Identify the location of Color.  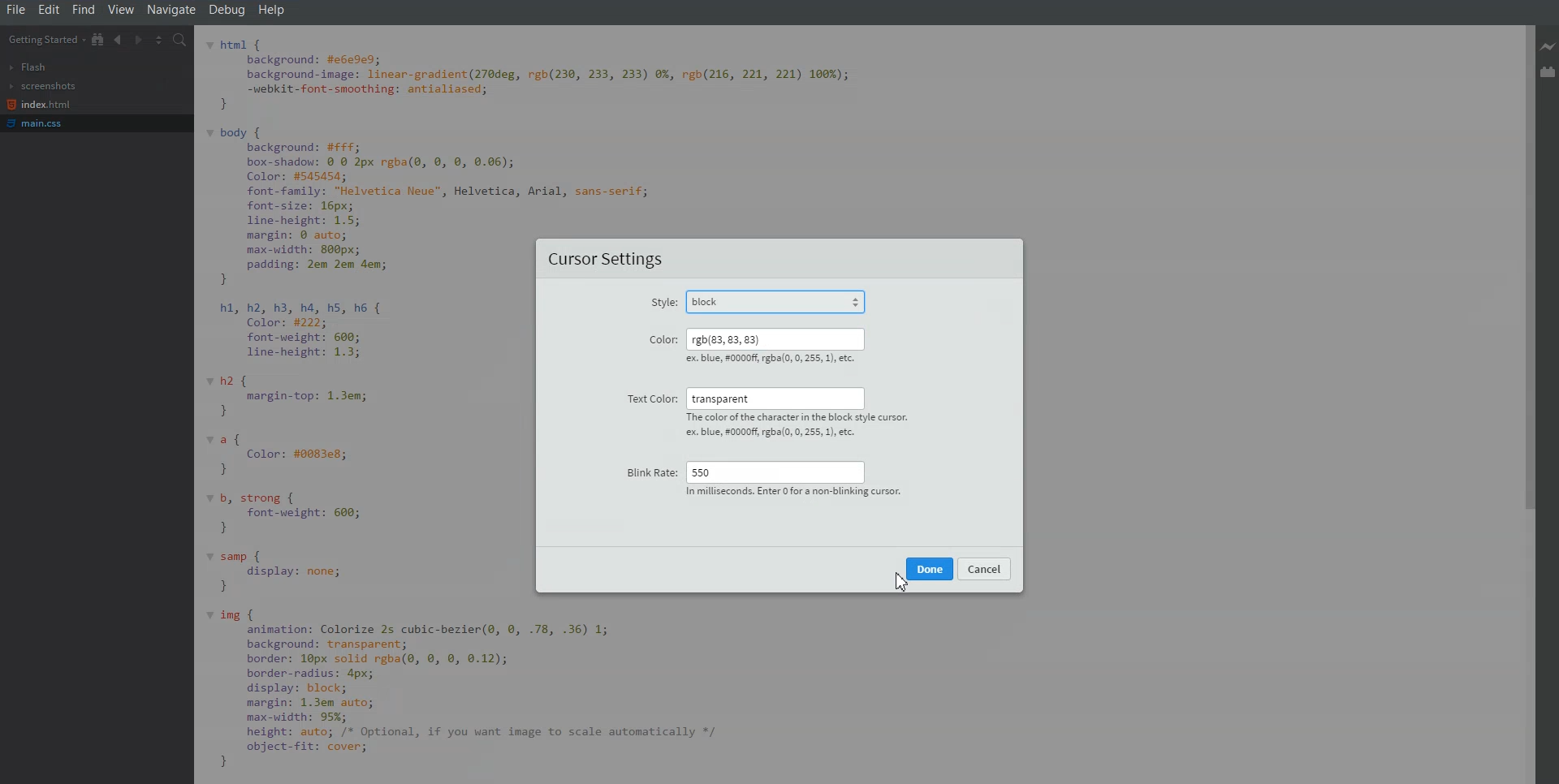
(662, 338).